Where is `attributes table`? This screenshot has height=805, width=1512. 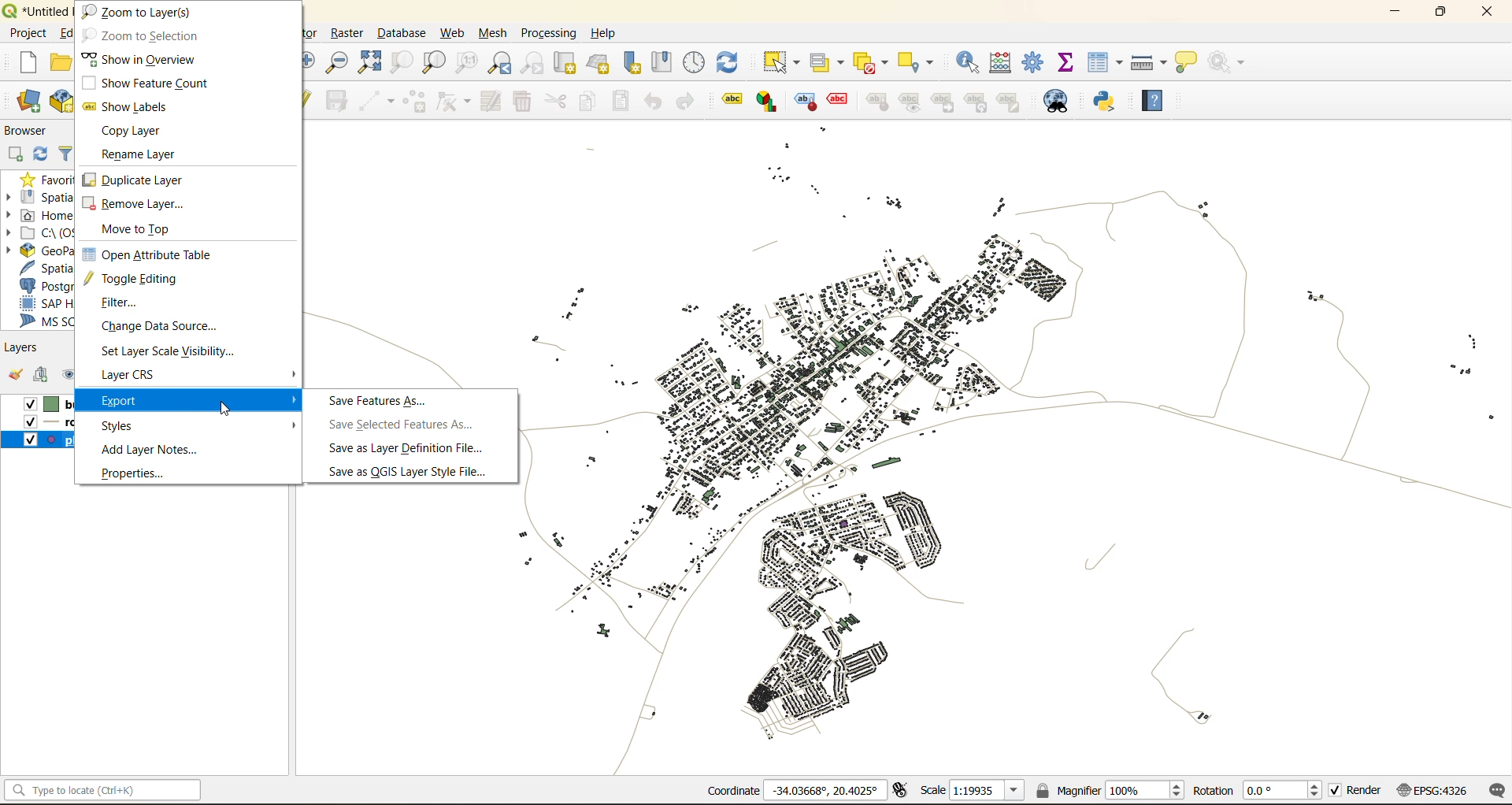
attributes table is located at coordinates (1109, 63).